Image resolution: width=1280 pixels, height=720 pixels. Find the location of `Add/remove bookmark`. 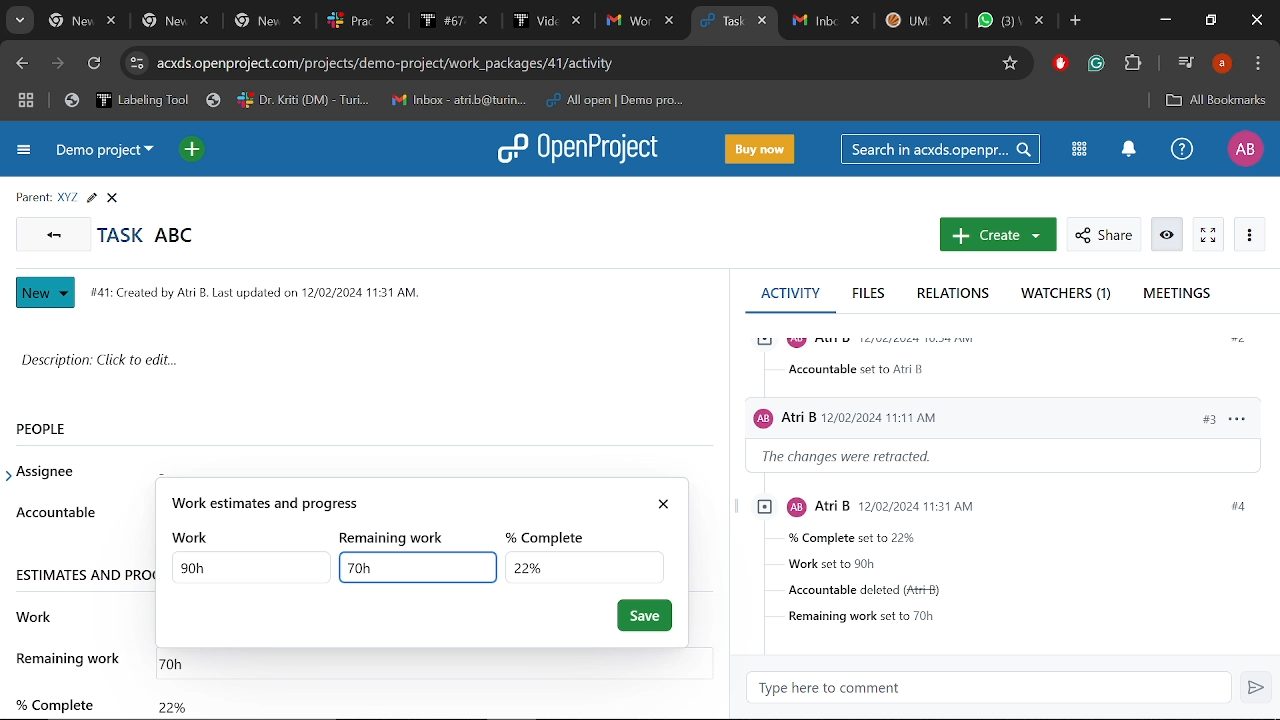

Add/remove bookmark is located at coordinates (1012, 61).